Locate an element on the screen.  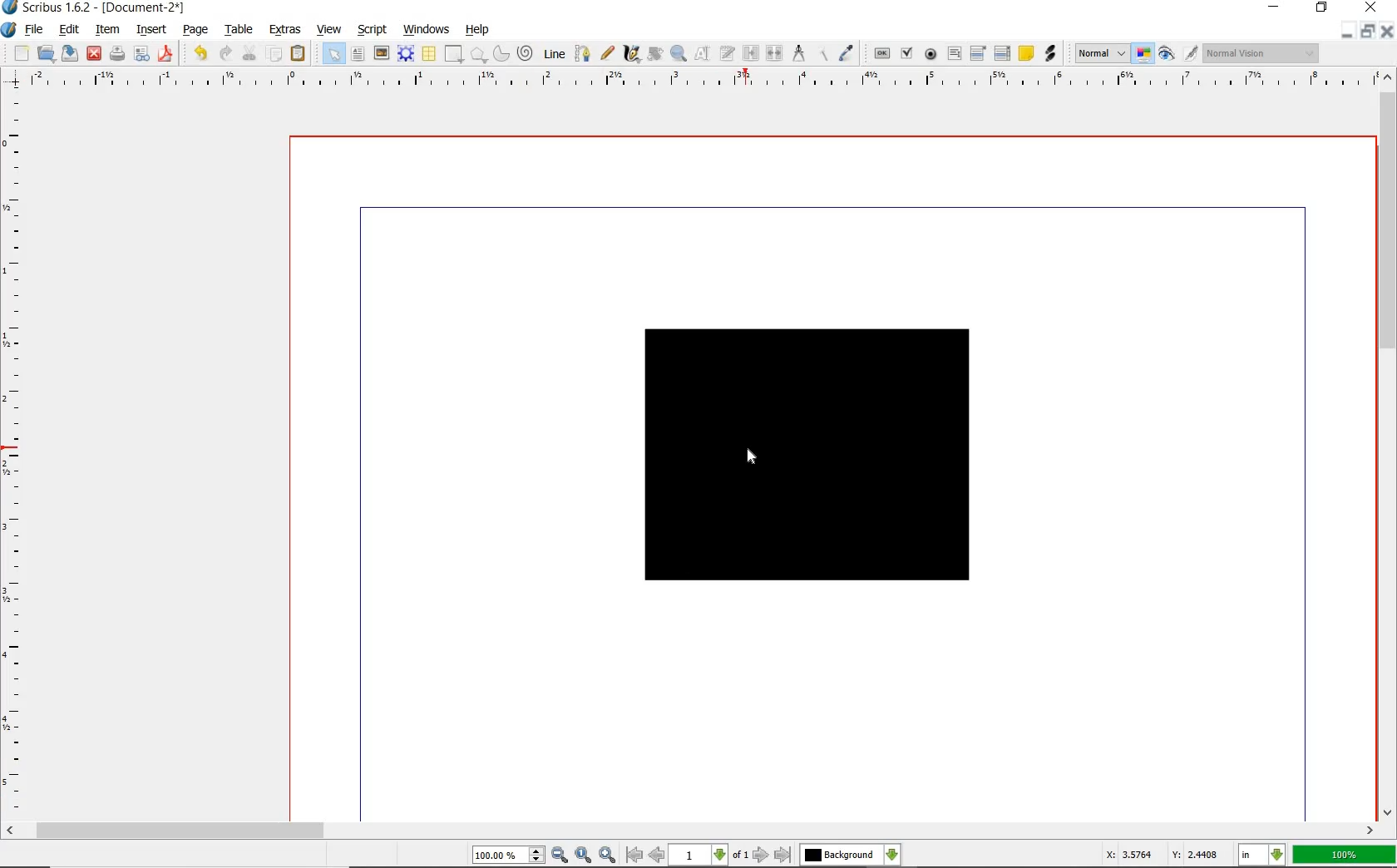
pdf radio button is located at coordinates (927, 54).